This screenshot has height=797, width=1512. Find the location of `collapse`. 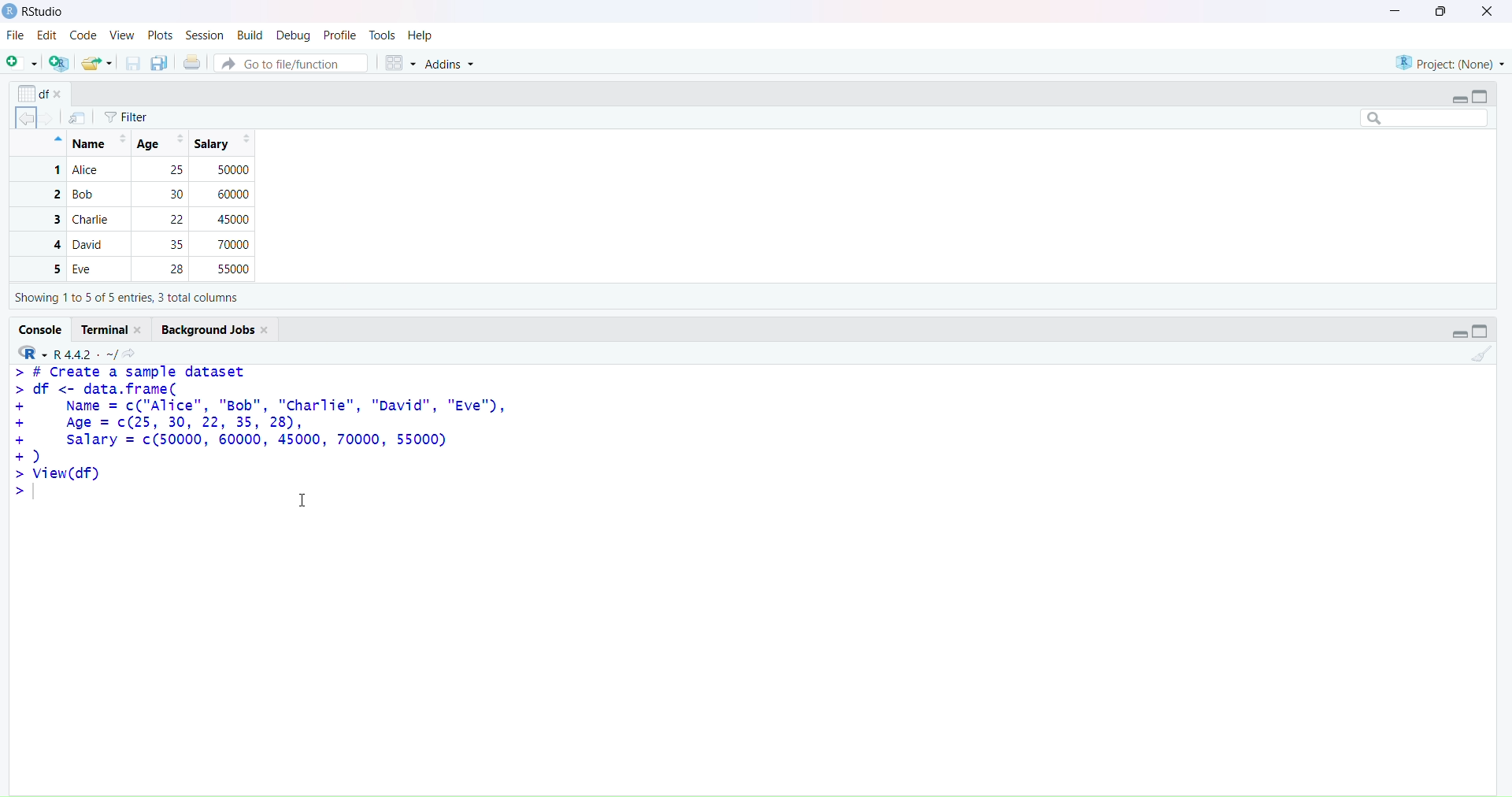

collapse is located at coordinates (1483, 332).